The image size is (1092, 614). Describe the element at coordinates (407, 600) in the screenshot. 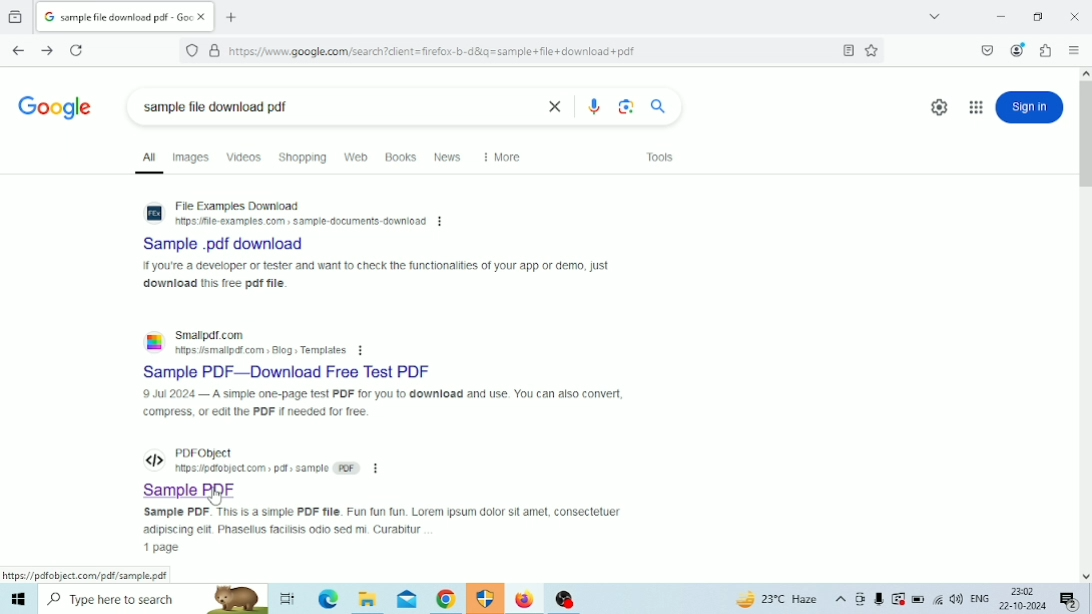

I see `Mail` at that location.